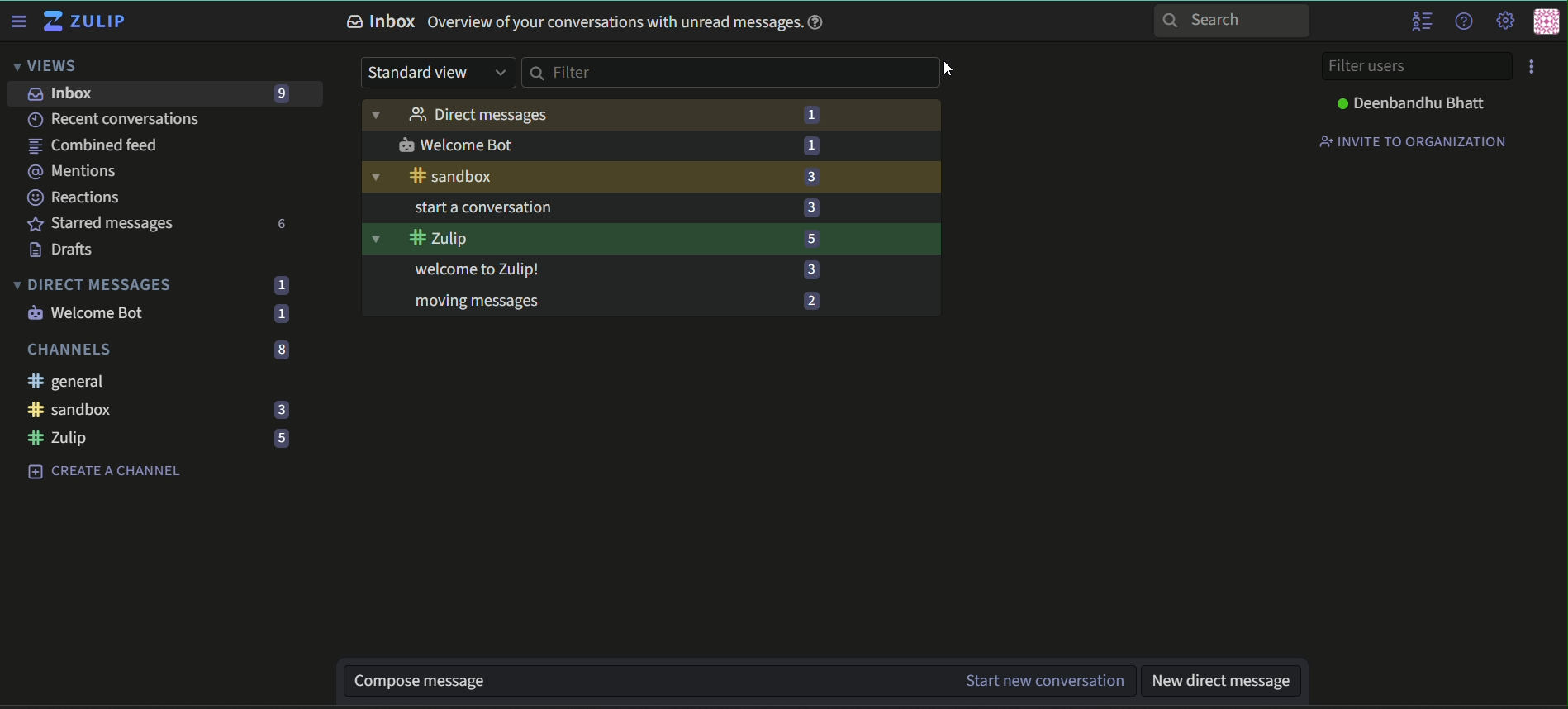 The height and width of the screenshot is (709, 1568). I want to click on mentions, so click(78, 172).